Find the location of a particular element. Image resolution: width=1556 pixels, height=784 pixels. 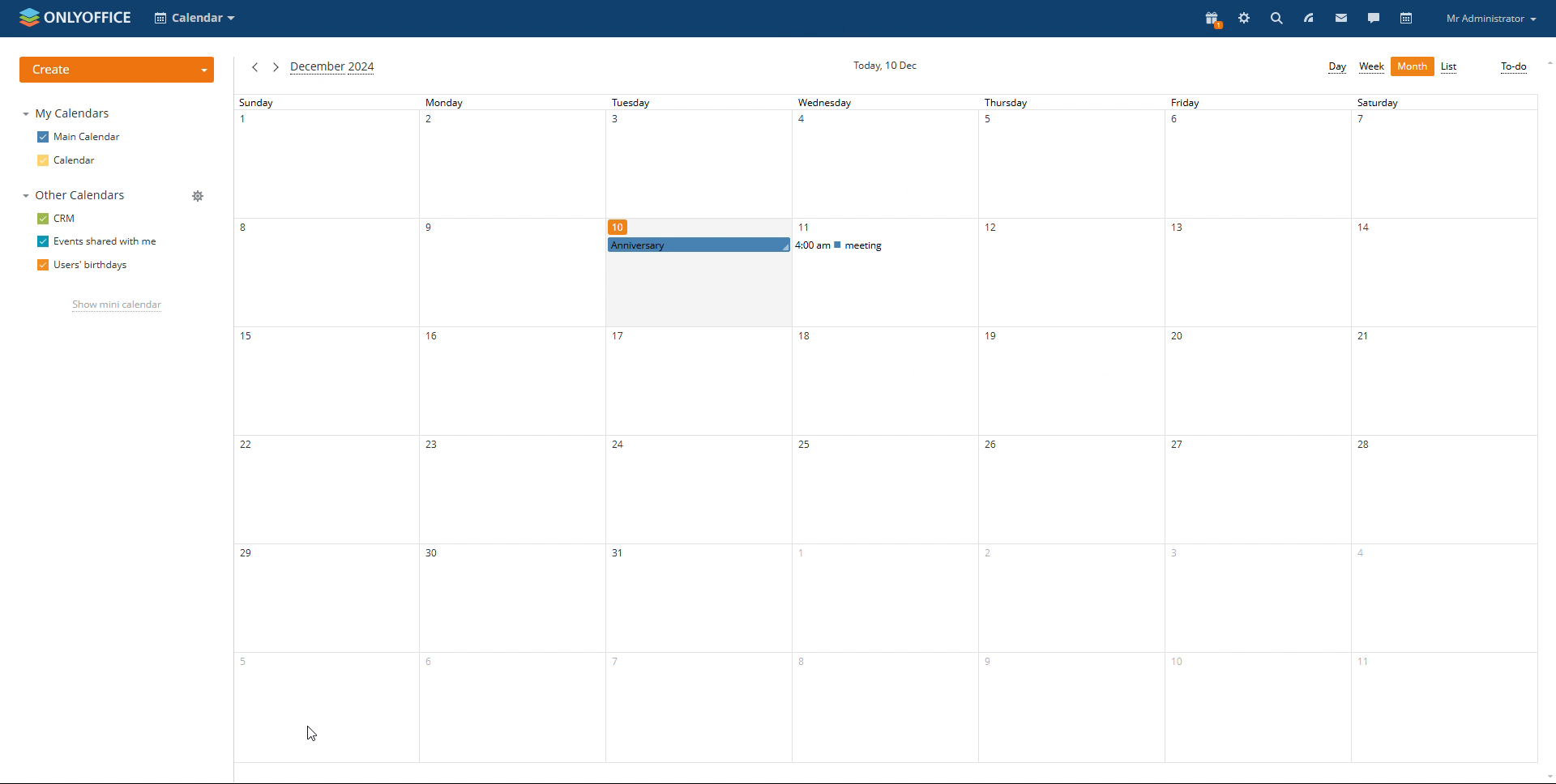

week view is located at coordinates (1372, 66).